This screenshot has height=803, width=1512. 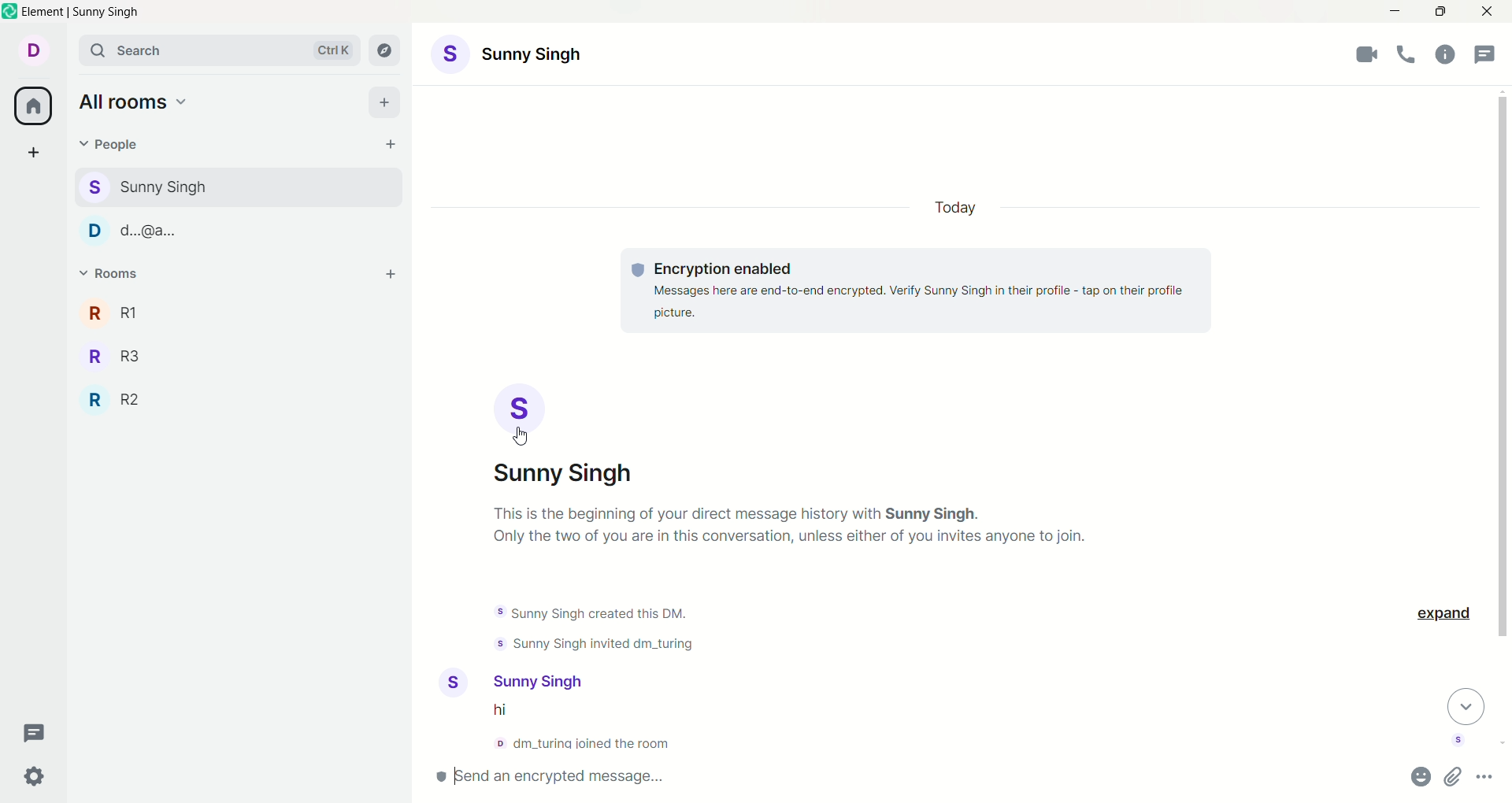 What do you see at coordinates (84, 13) in the screenshot?
I see `element` at bounding box center [84, 13].